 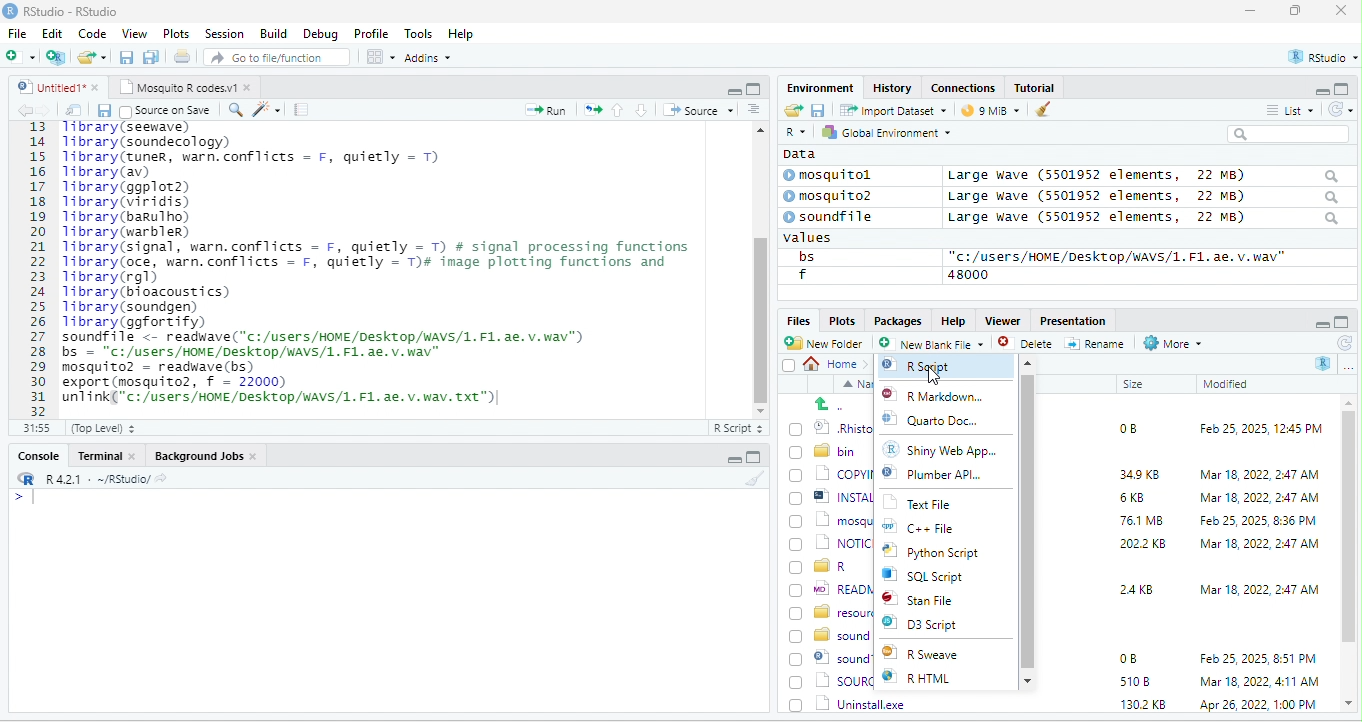 I want to click on Code, so click(x=93, y=33).